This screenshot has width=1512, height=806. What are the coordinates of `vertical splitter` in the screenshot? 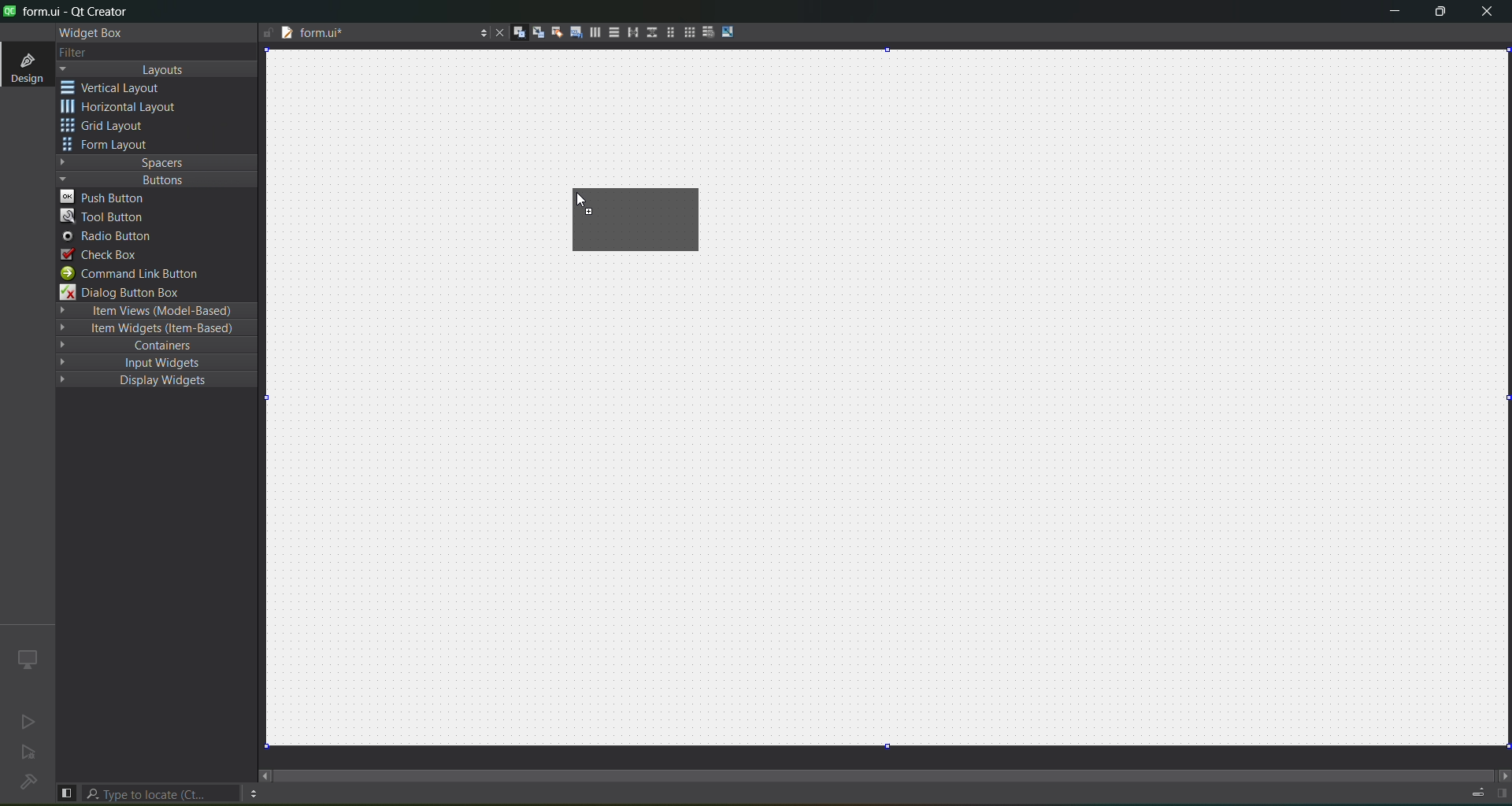 It's located at (650, 31).